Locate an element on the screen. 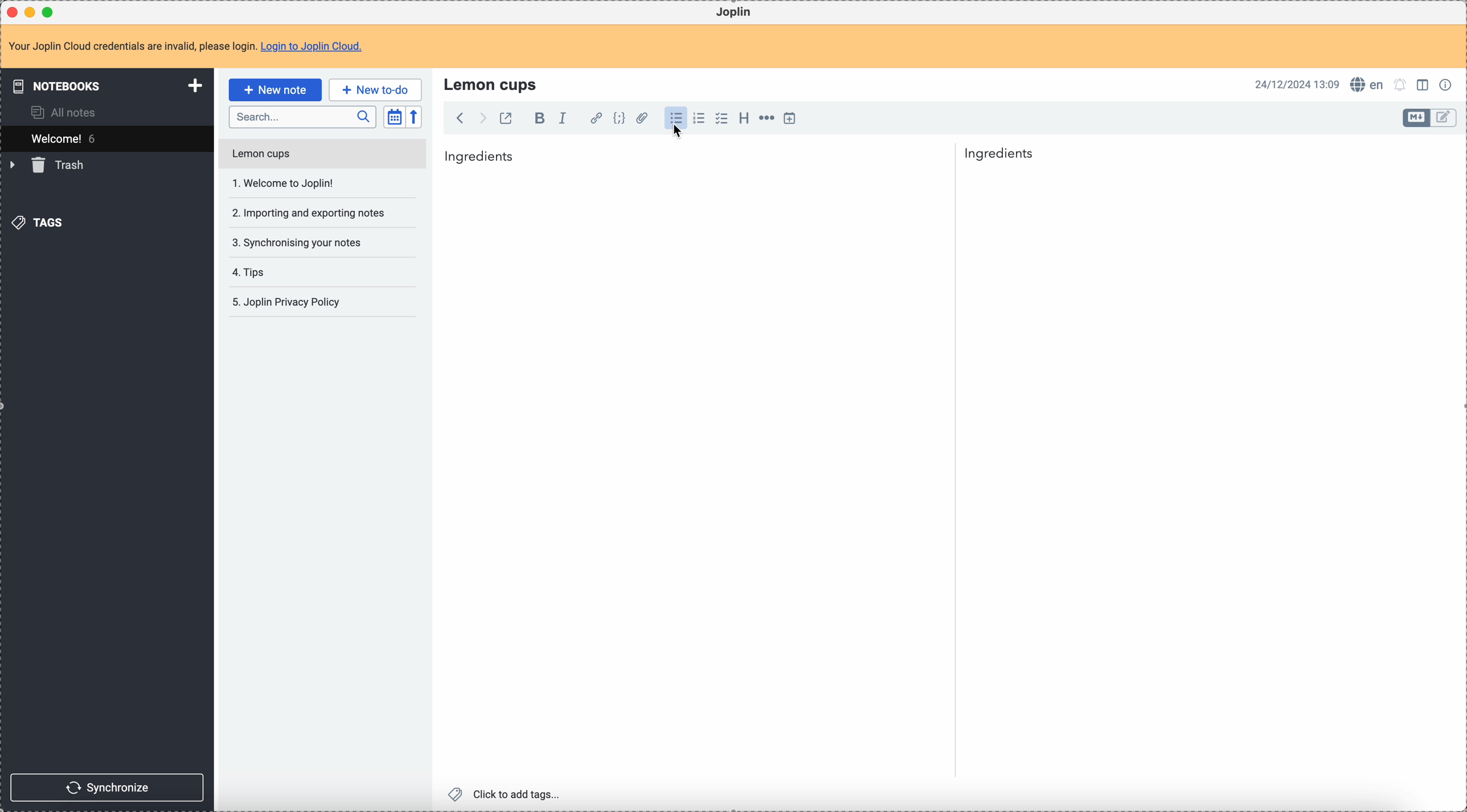 The width and height of the screenshot is (1467, 812). spell checker is located at coordinates (1370, 84).